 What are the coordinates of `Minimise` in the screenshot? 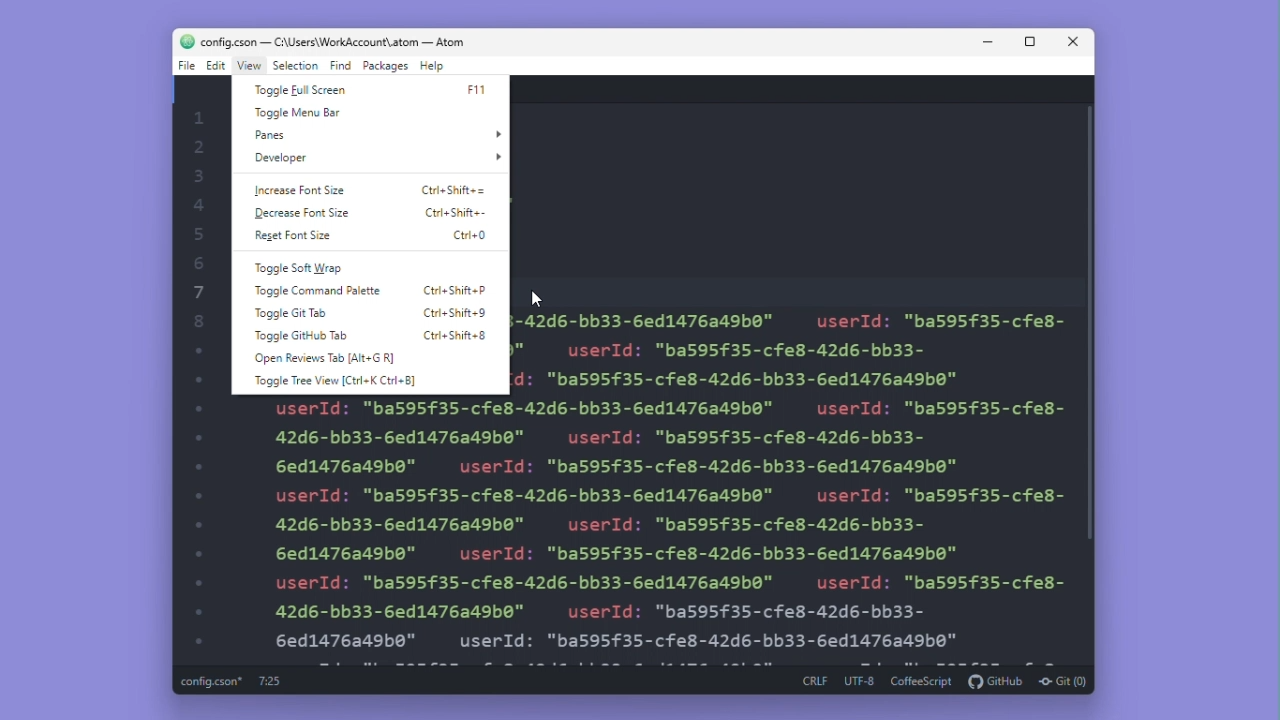 It's located at (990, 41).